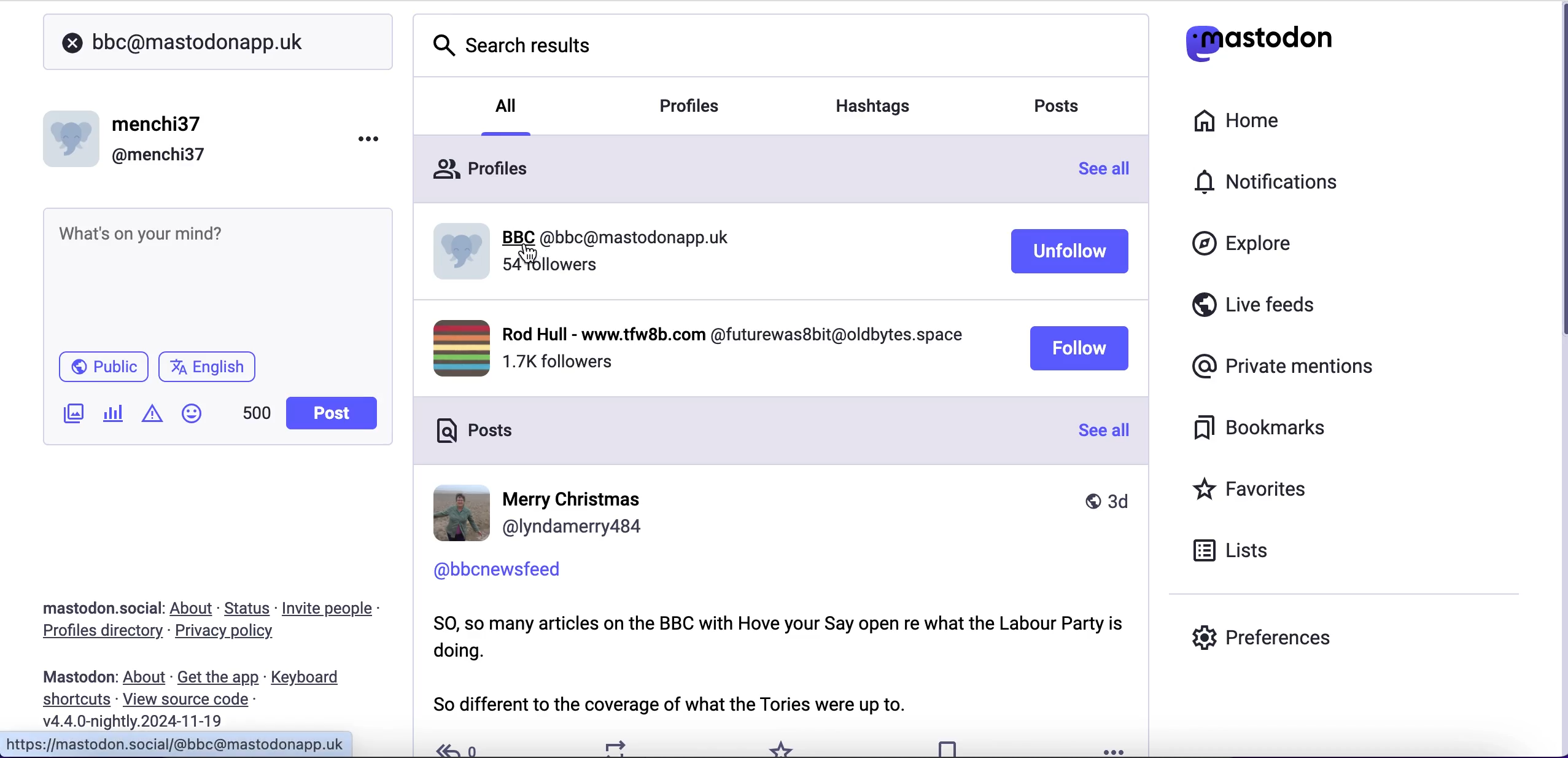 The width and height of the screenshot is (1568, 758). I want to click on profiles, so click(692, 104).